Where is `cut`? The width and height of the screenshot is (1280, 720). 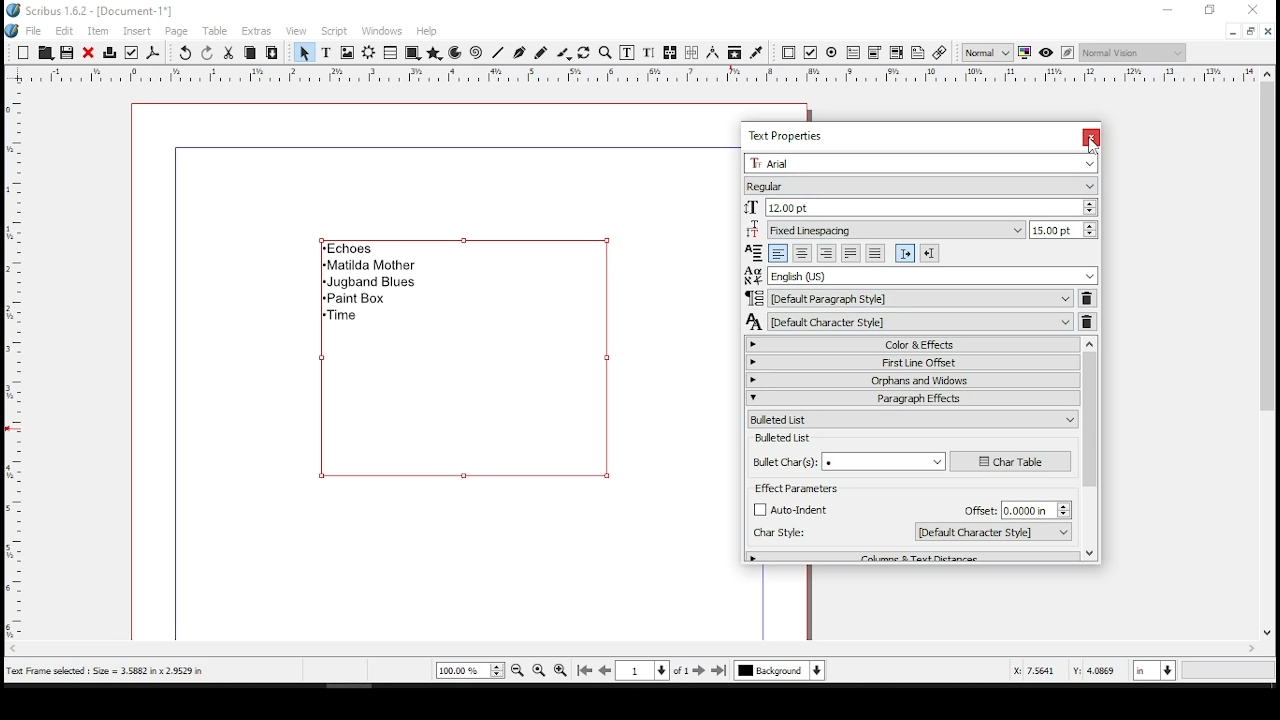
cut is located at coordinates (229, 52).